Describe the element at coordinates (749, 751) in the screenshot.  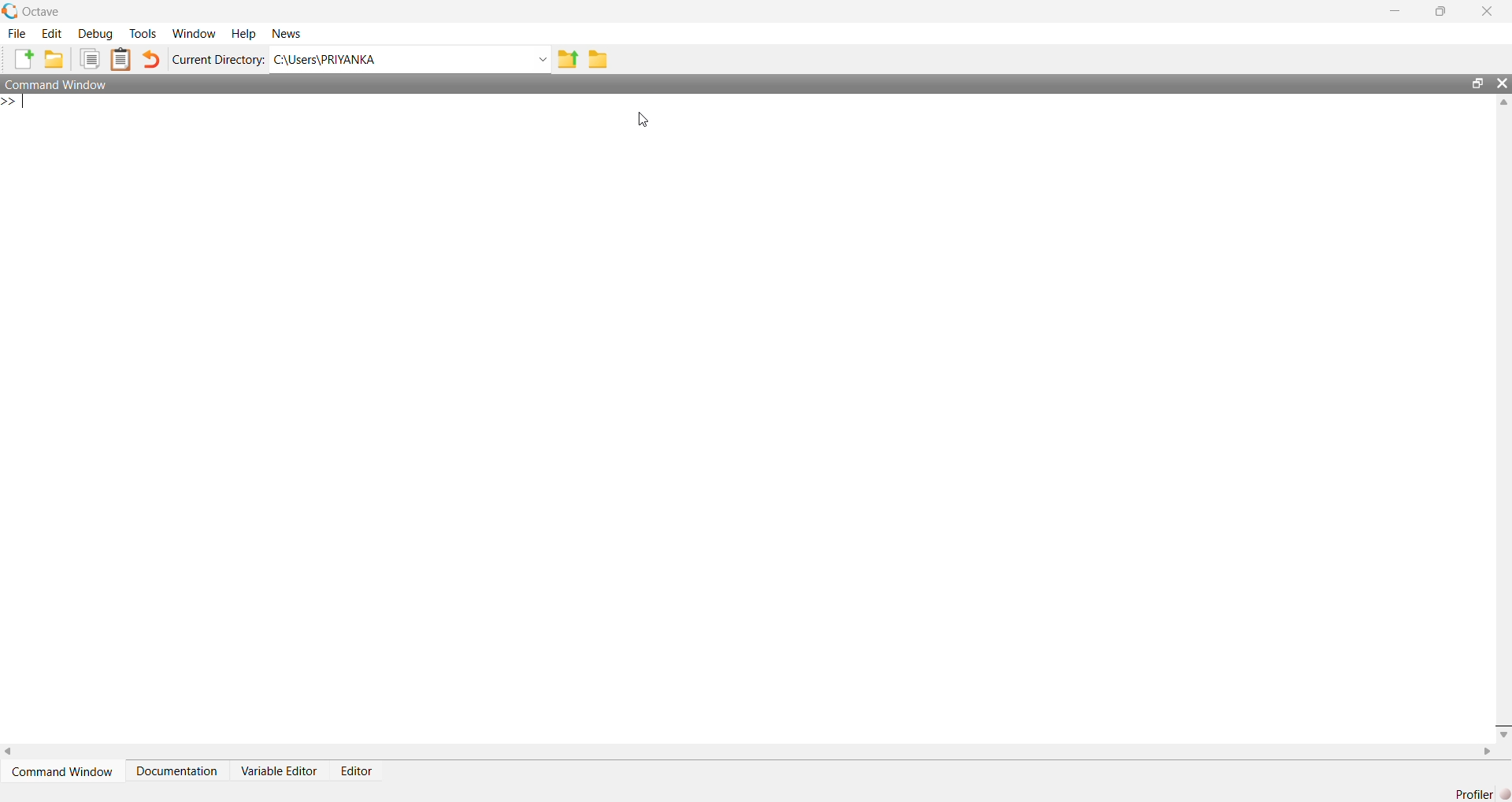
I see `horizontal scroll bar` at that location.